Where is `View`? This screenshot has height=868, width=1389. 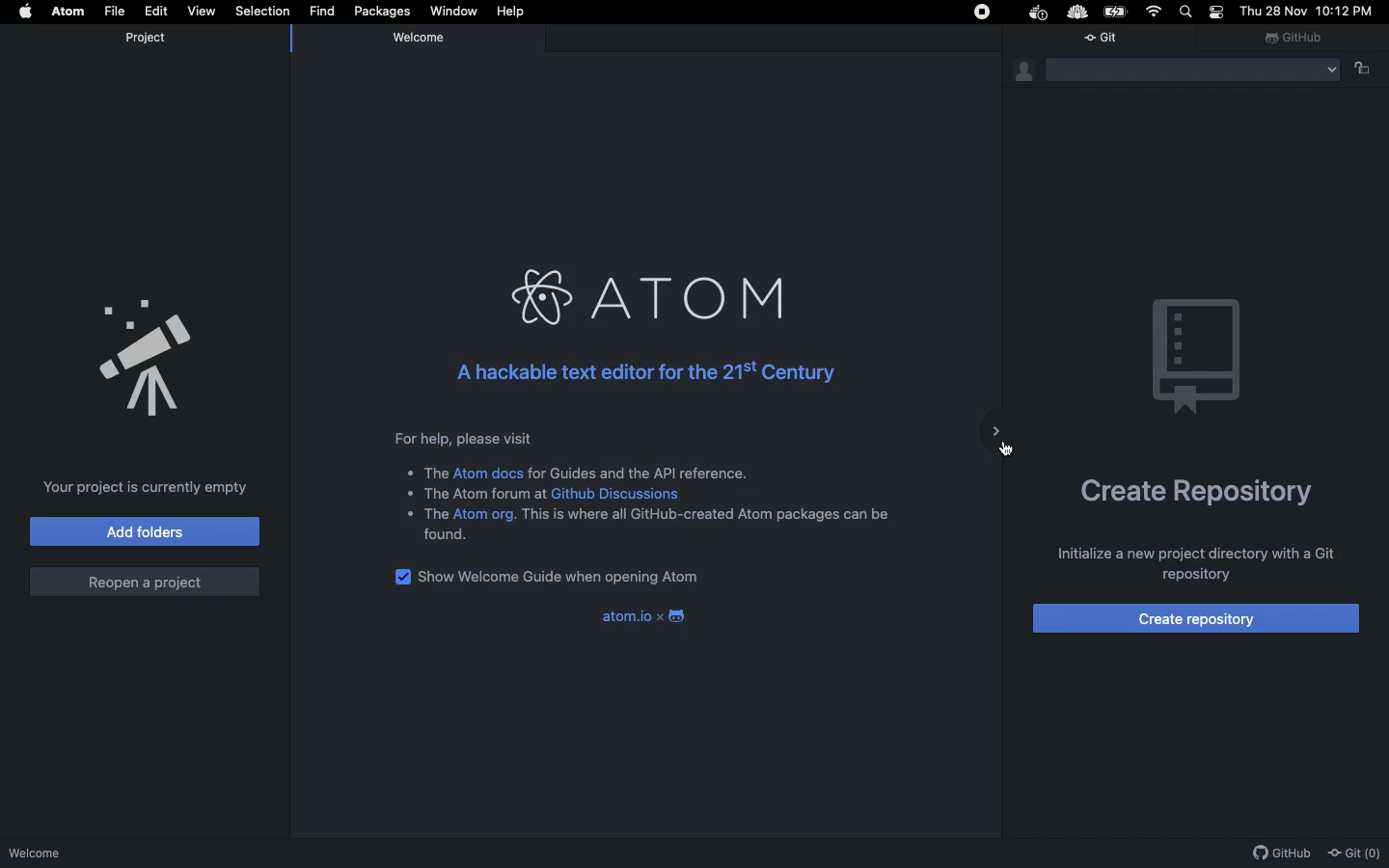 View is located at coordinates (204, 13).